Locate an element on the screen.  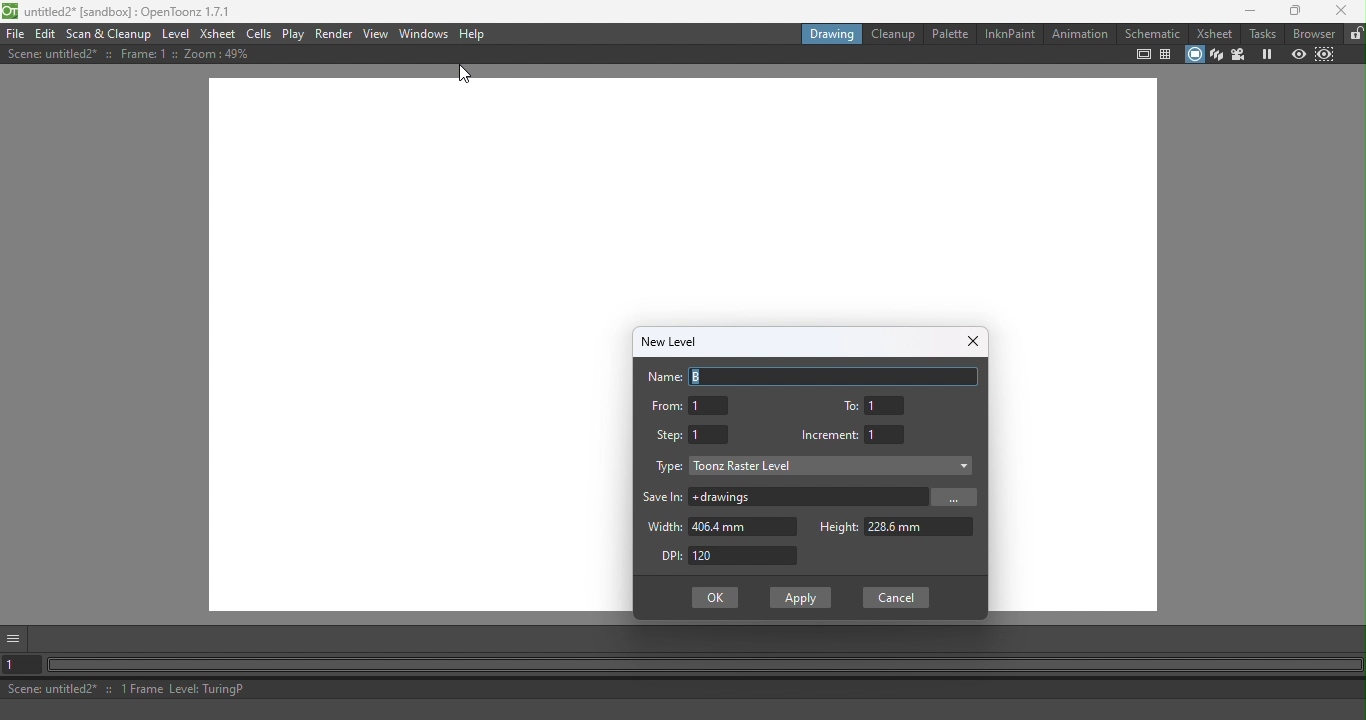
Height is located at coordinates (921, 527).